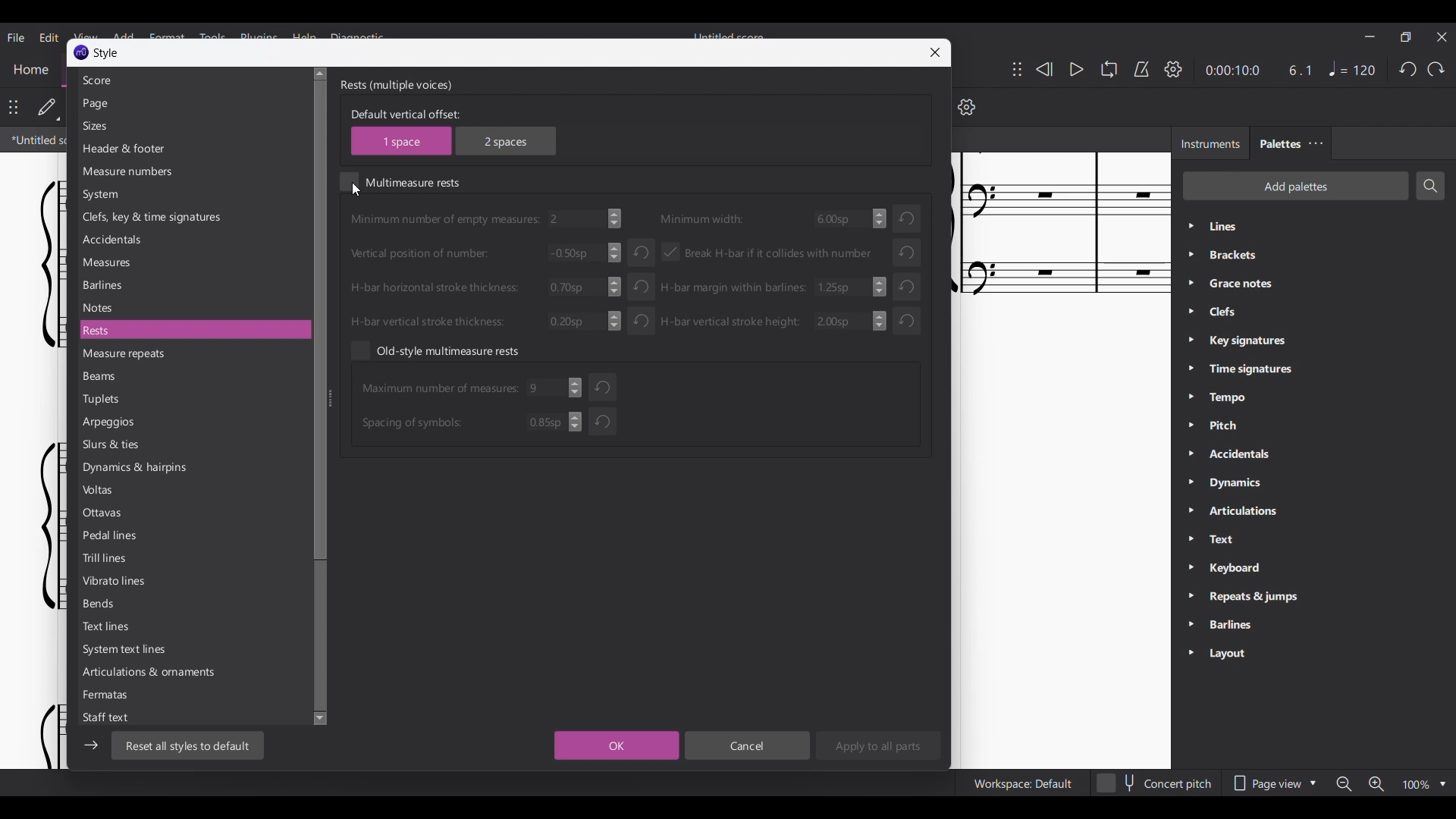 Image resolution: width=1456 pixels, height=819 pixels. I want to click on Barlines, so click(193, 285).